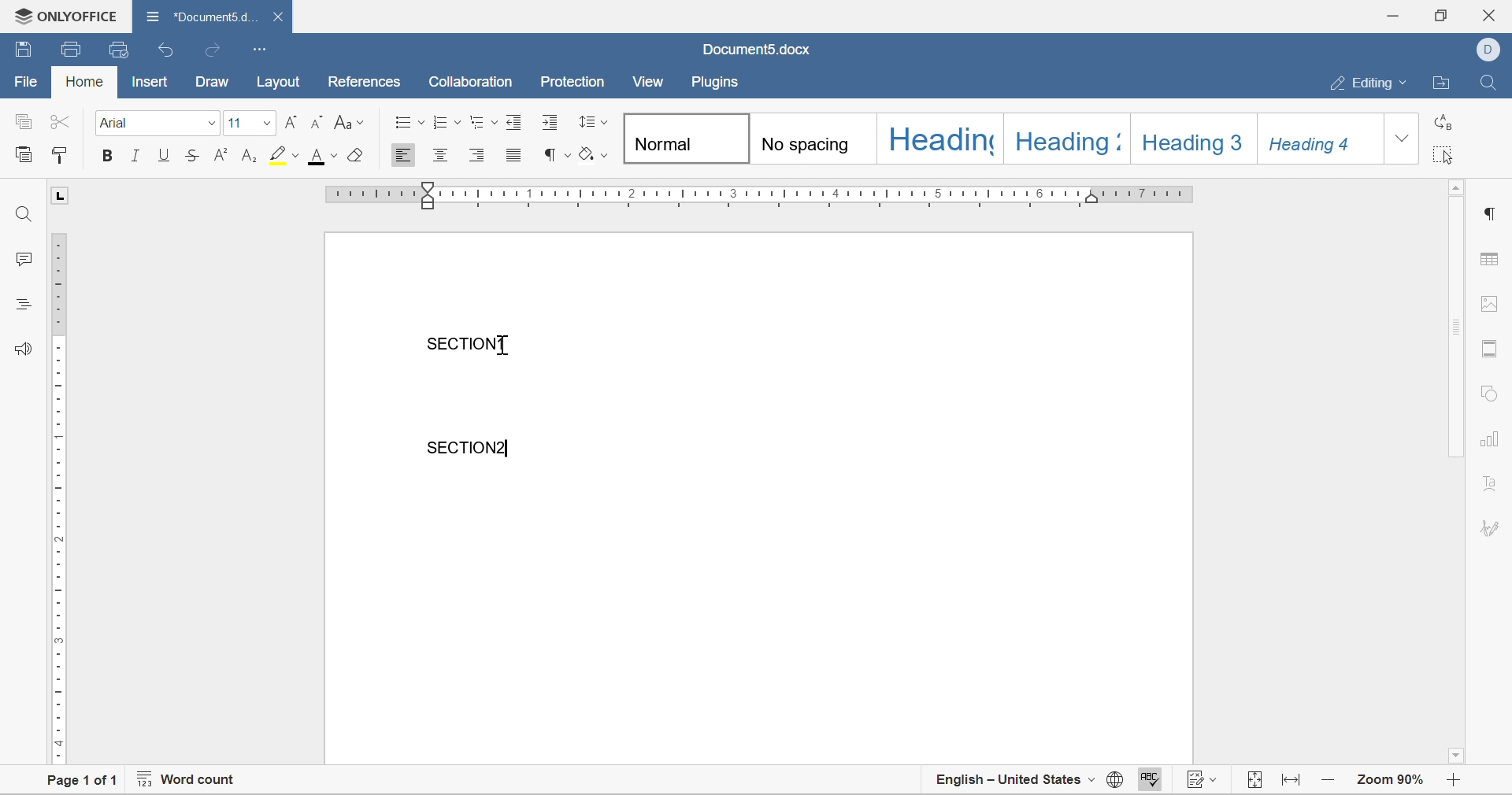  What do you see at coordinates (222, 154) in the screenshot?
I see `superscript` at bounding box center [222, 154].